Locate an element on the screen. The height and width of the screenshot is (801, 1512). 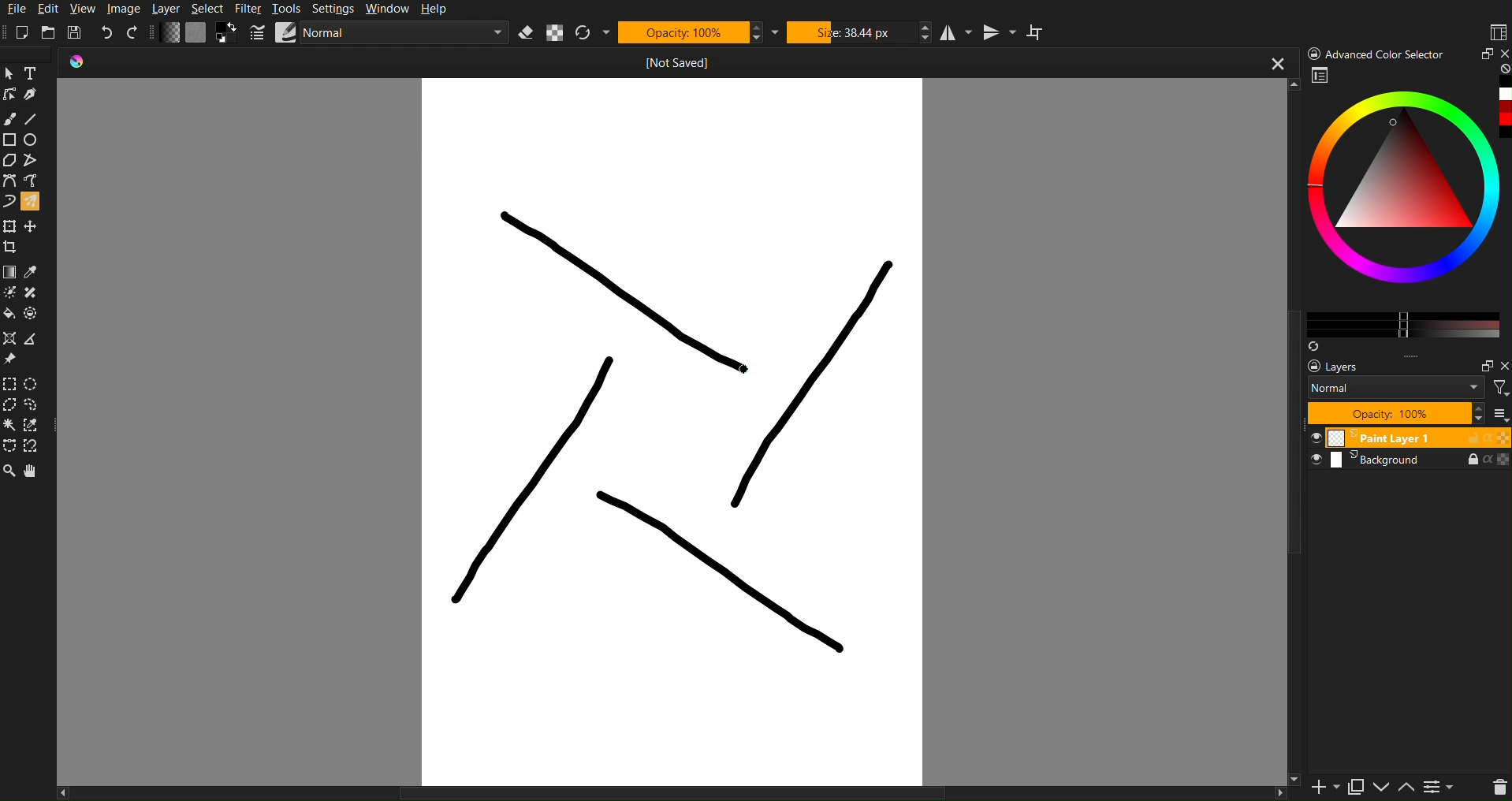
Window is located at coordinates (389, 8).